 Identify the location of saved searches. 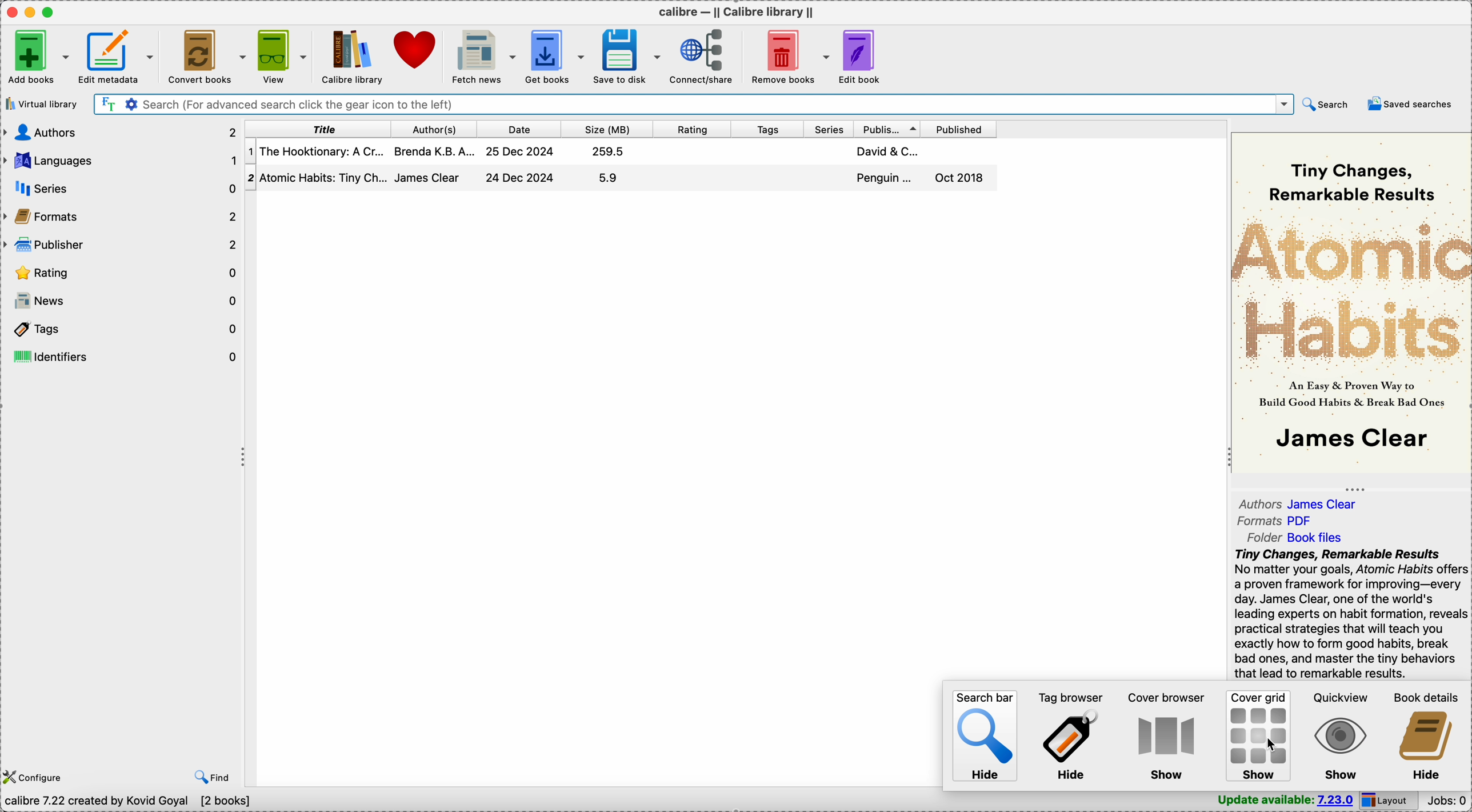
(1410, 103).